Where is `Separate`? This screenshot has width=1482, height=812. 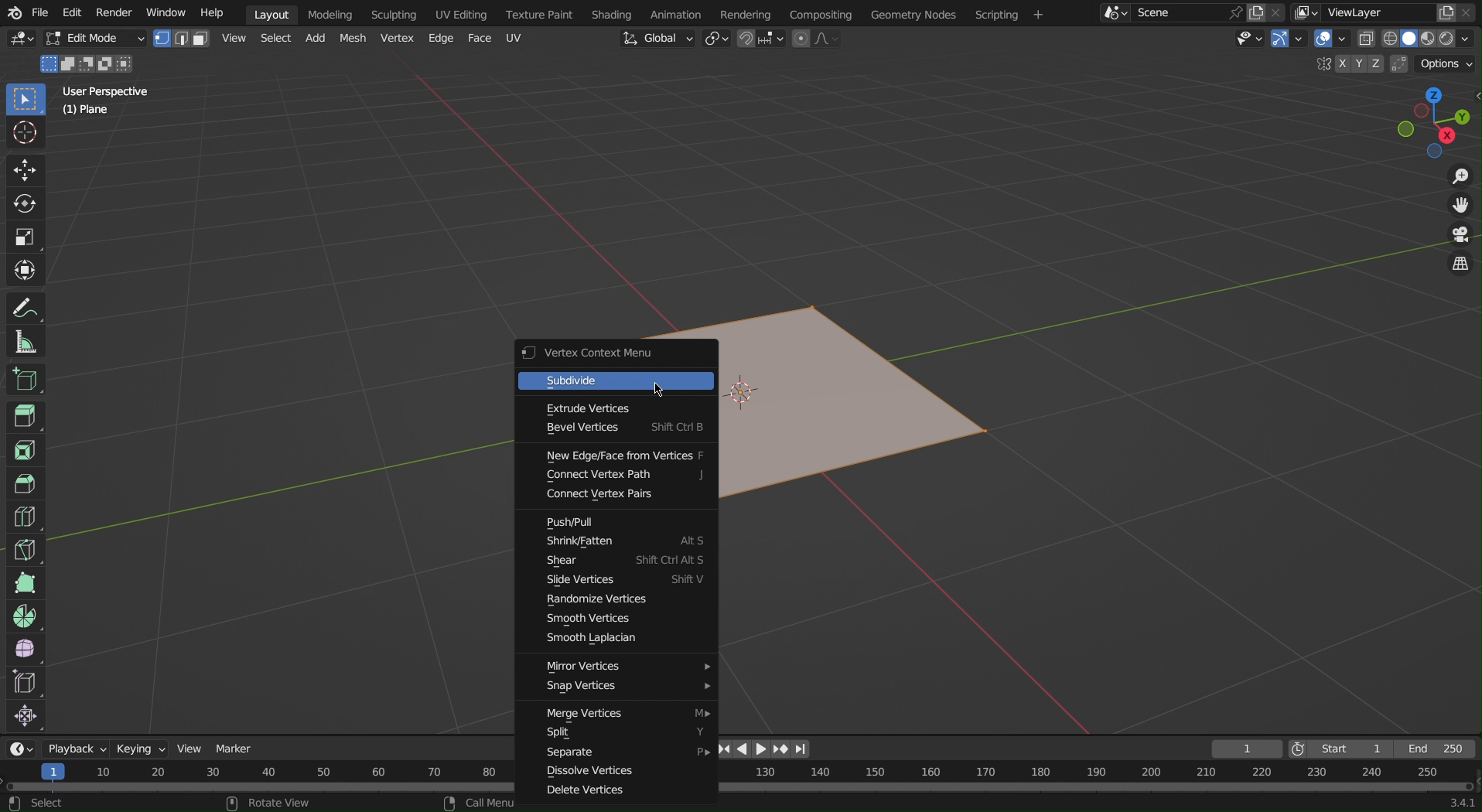 Separate is located at coordinates (621, 753).